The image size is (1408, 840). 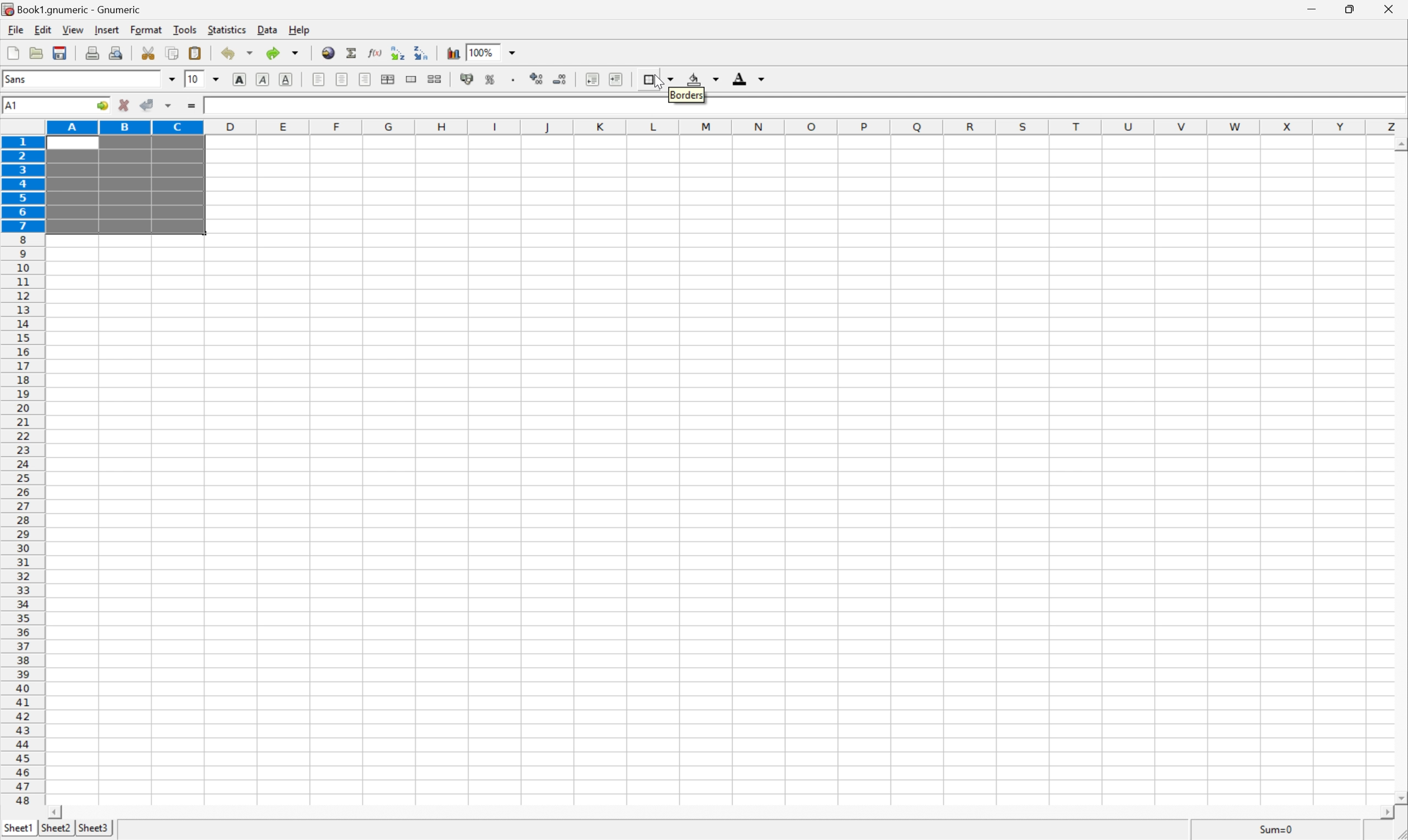 What do you see at coordinates (62, 51) in the screenshot?
I see `save current workbook` at bounding box center [62, 51].